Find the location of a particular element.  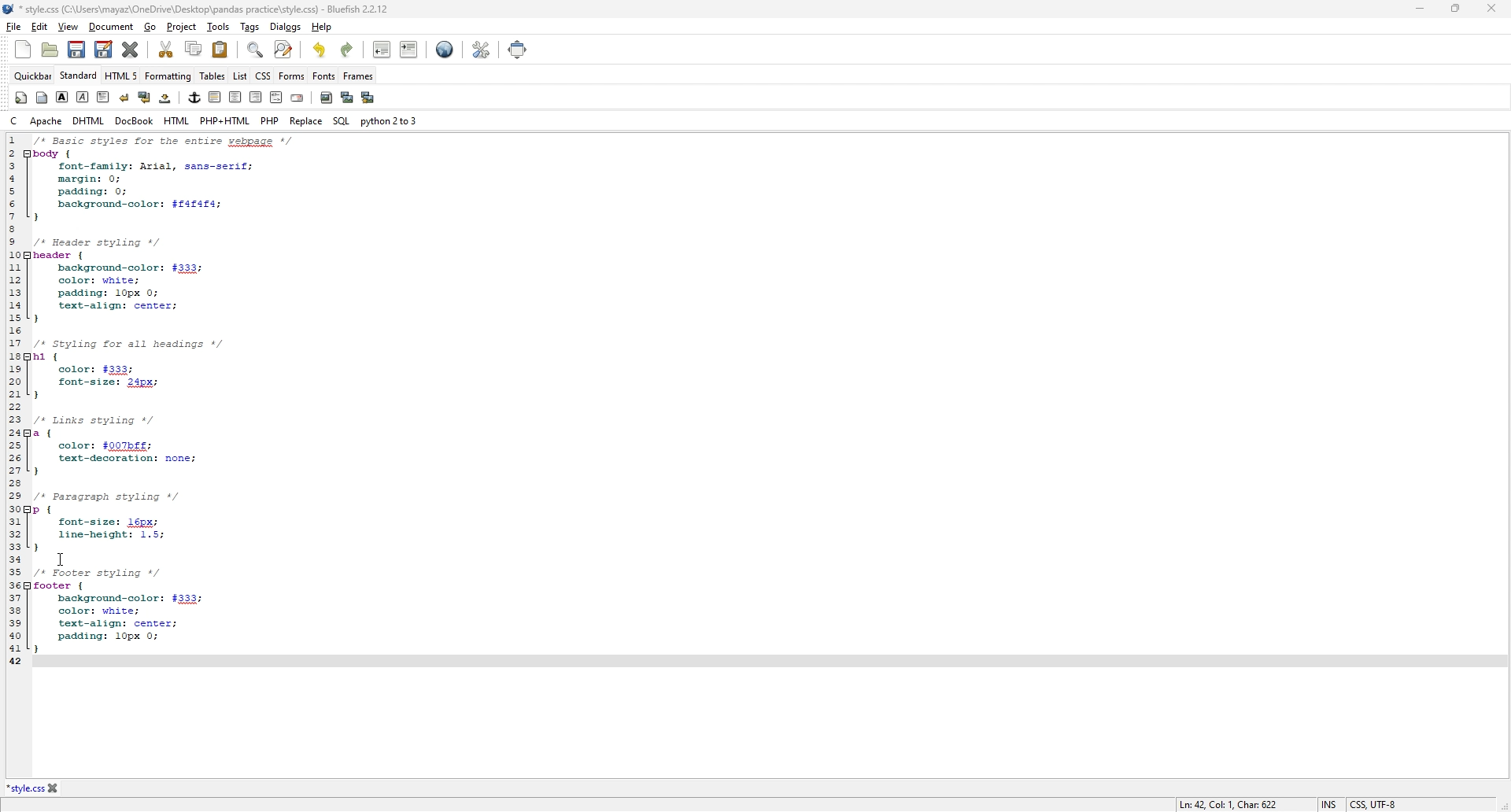

replace is located at coordinates (306, 121).